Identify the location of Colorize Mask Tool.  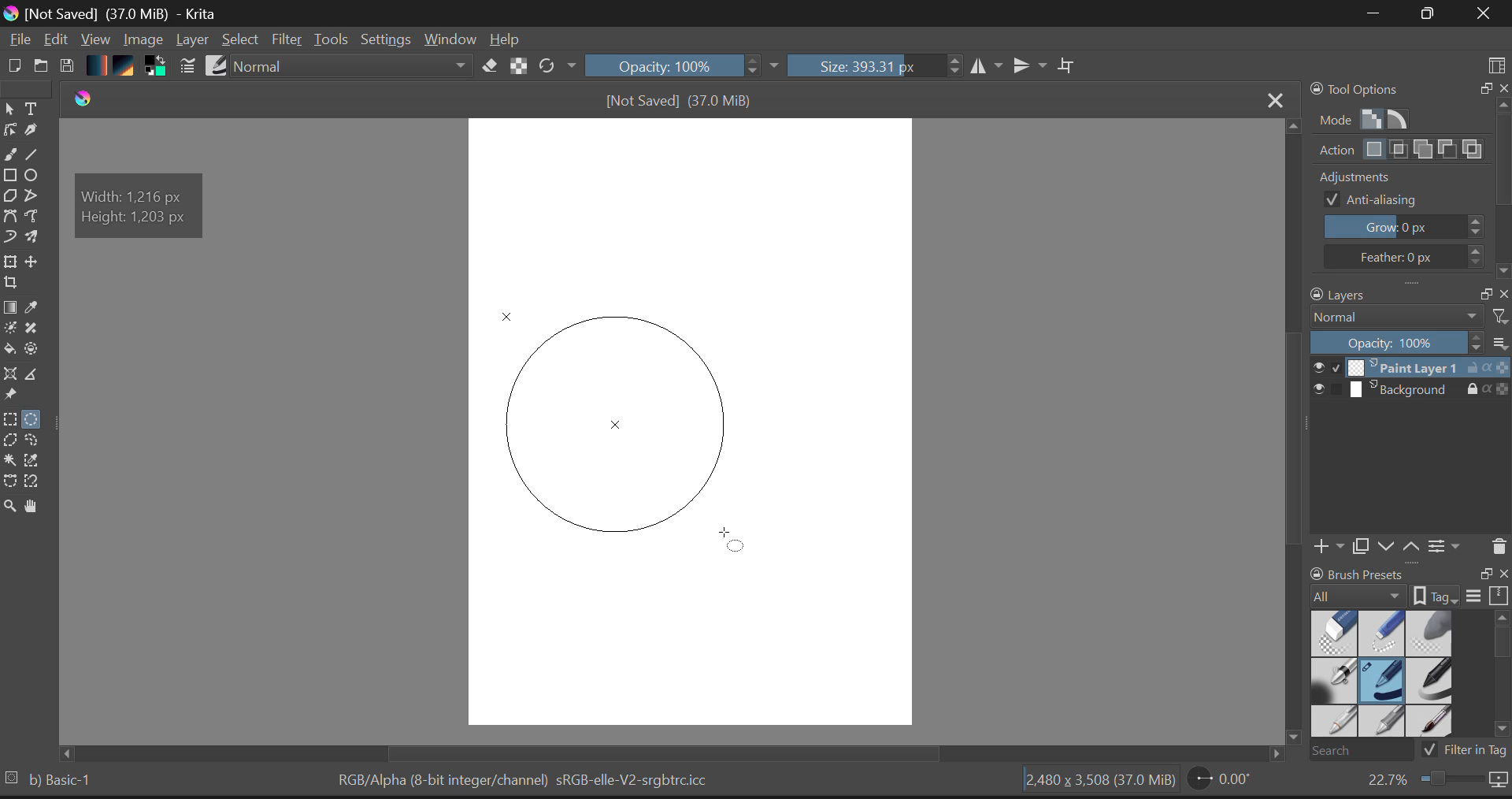
(9, 329).